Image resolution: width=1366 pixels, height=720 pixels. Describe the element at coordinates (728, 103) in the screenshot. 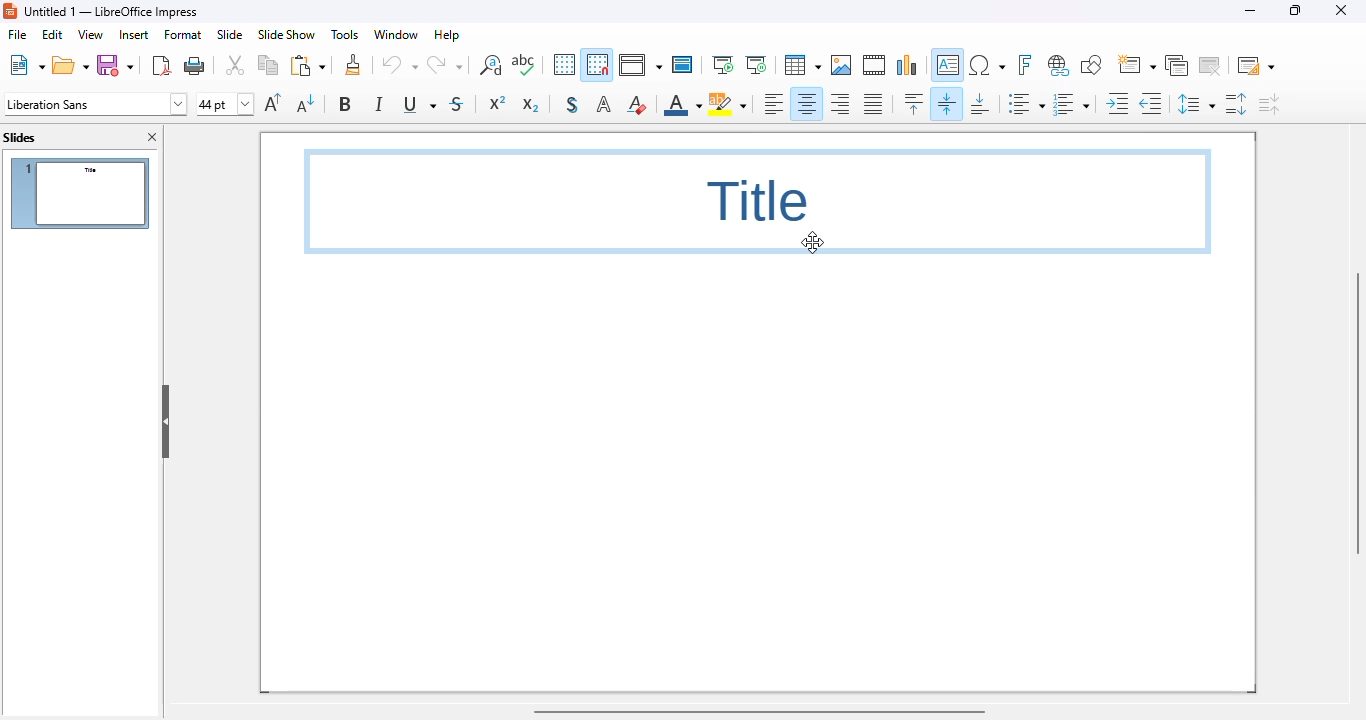

I see `character highlighting color` at that location.